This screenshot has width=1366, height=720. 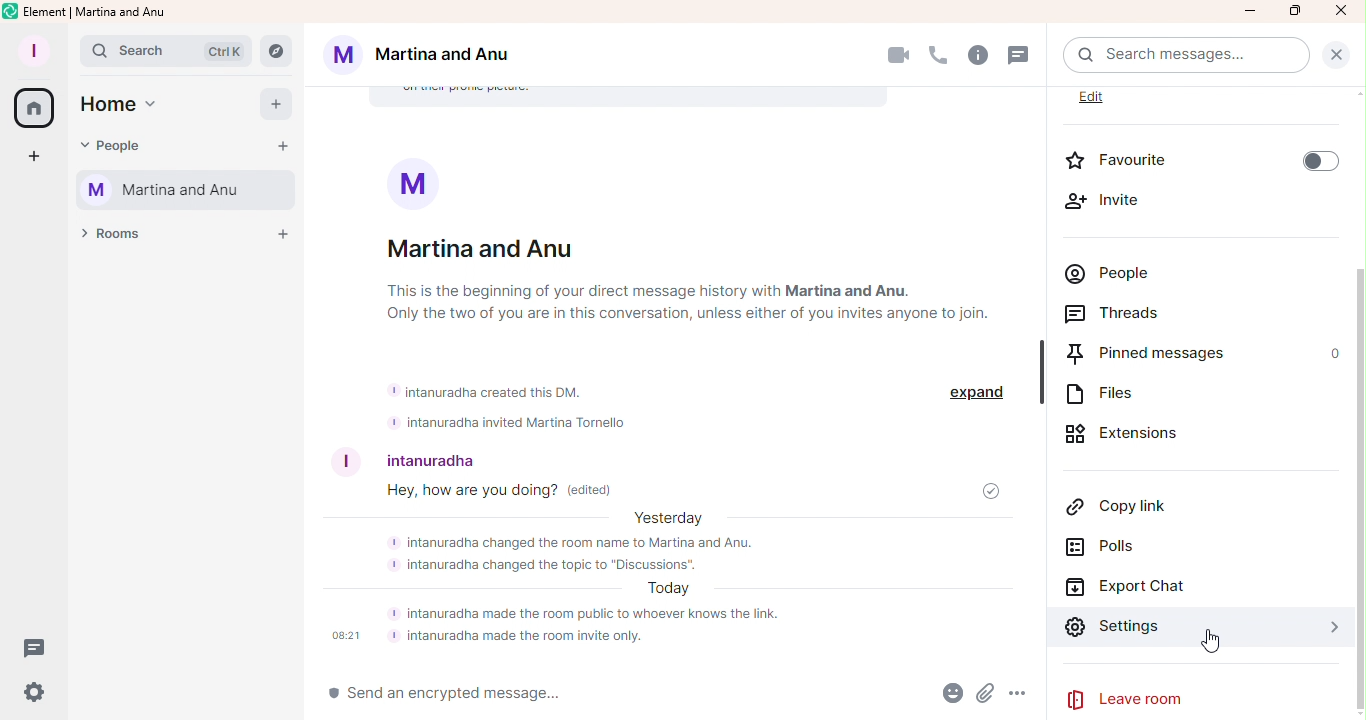 I want to click on Copy link, so click(x=1123, y=503).